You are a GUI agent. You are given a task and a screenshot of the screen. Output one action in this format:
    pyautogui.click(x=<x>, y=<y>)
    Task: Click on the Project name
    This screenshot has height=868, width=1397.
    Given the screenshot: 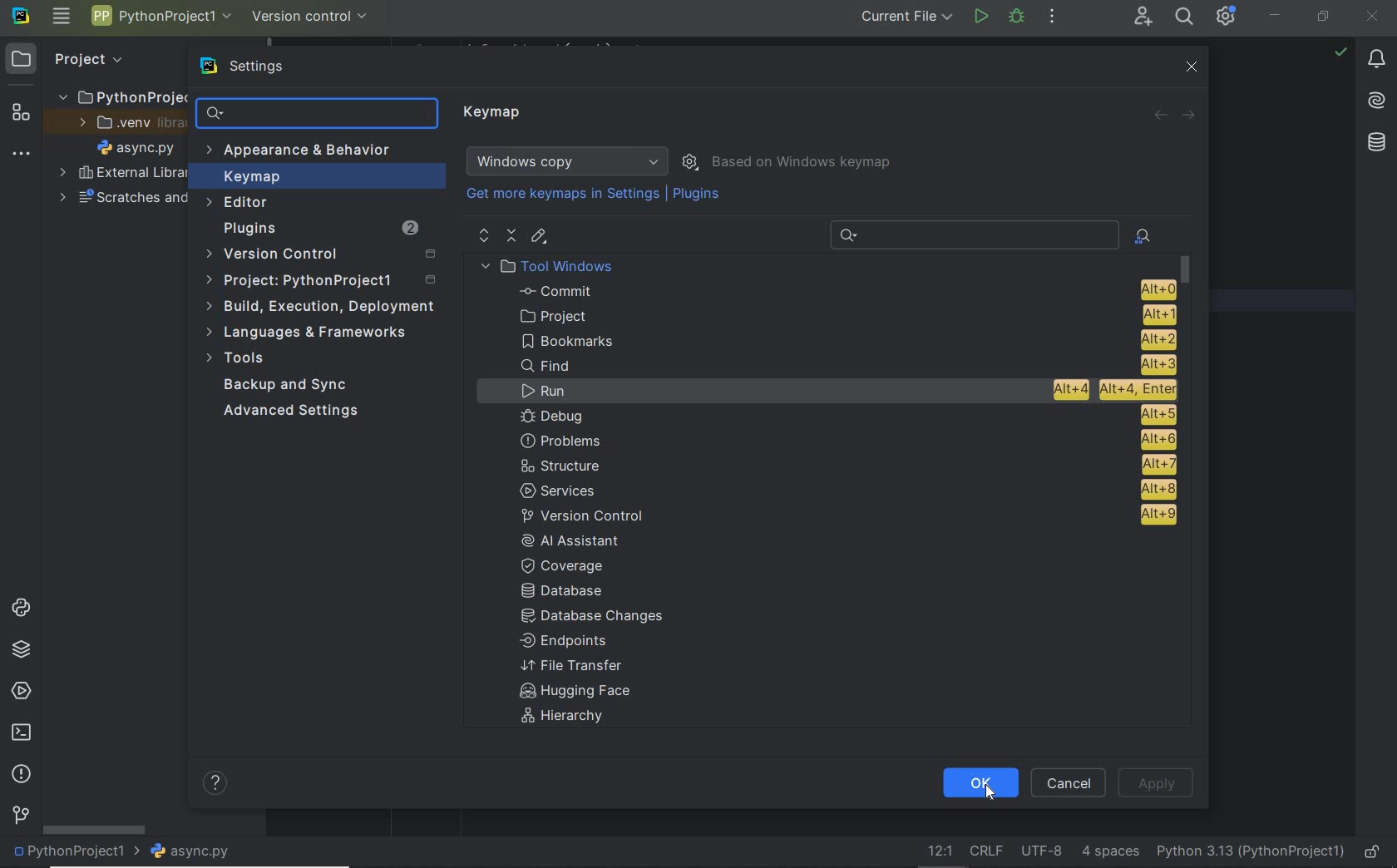 What is the action you would take?
    pyautogui.click(x=161, y=19)
    